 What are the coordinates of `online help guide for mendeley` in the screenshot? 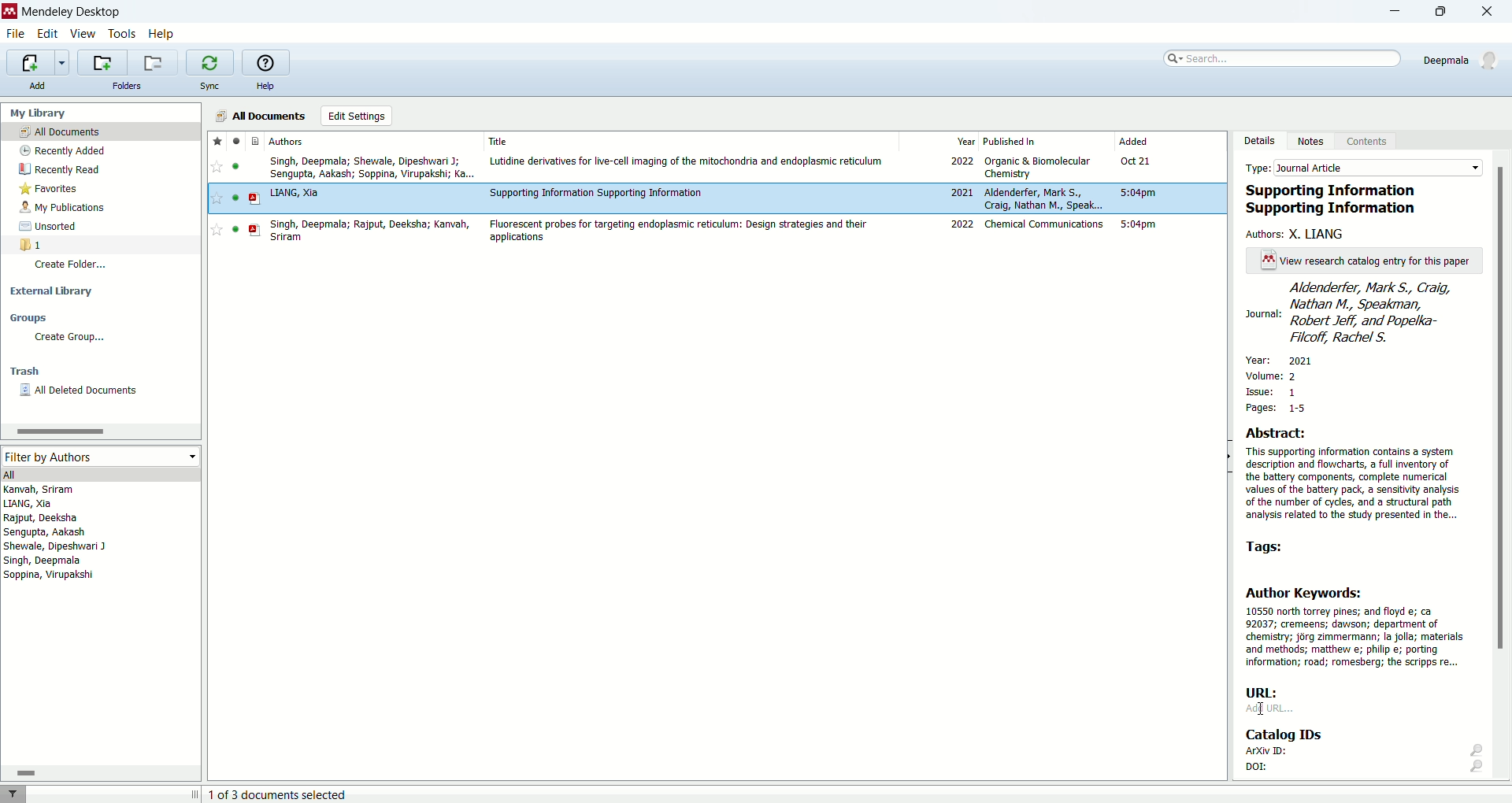 It's located at (266, 61).